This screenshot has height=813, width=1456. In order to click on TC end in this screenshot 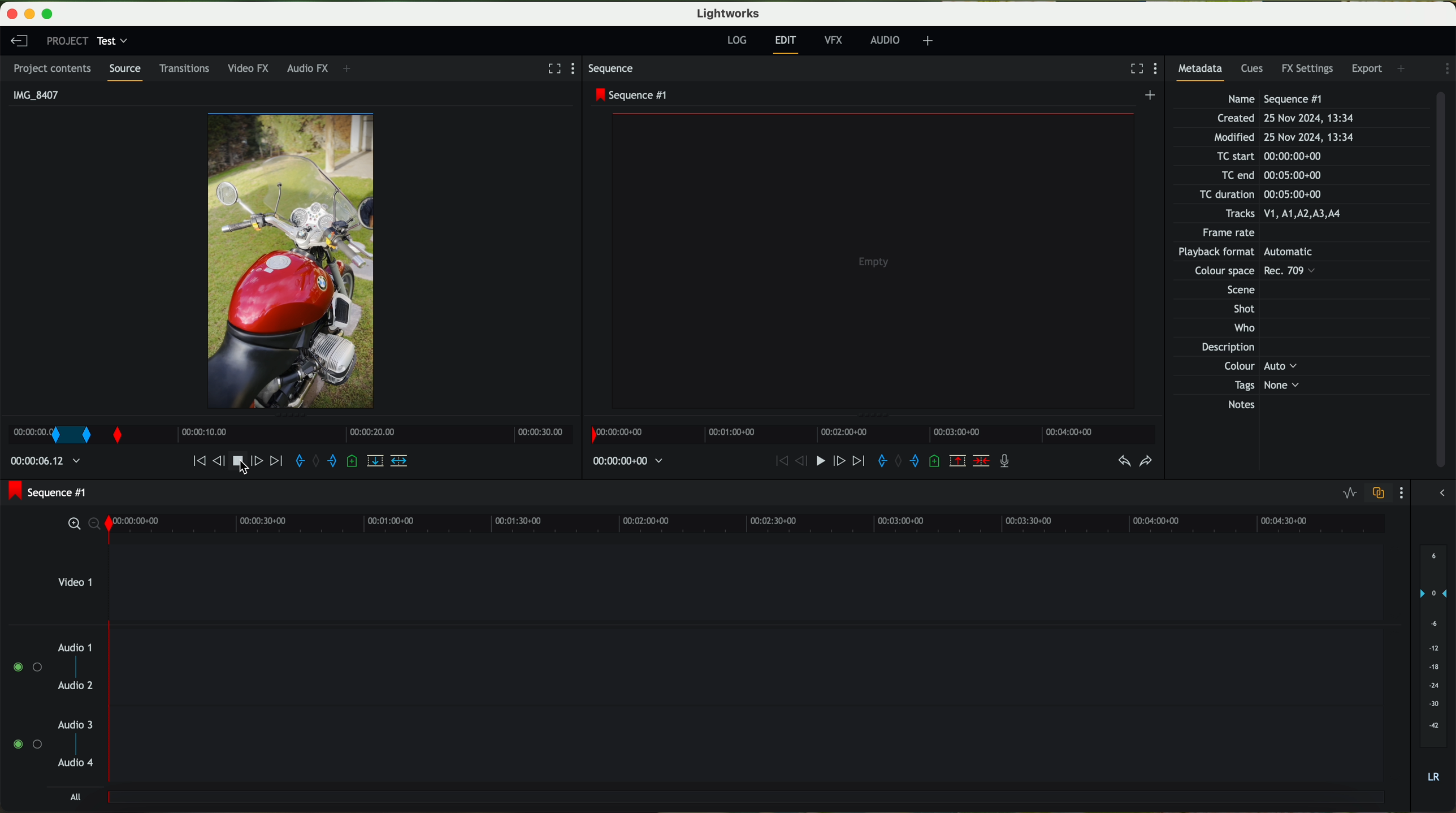, I will do `click(1286, 176)`.